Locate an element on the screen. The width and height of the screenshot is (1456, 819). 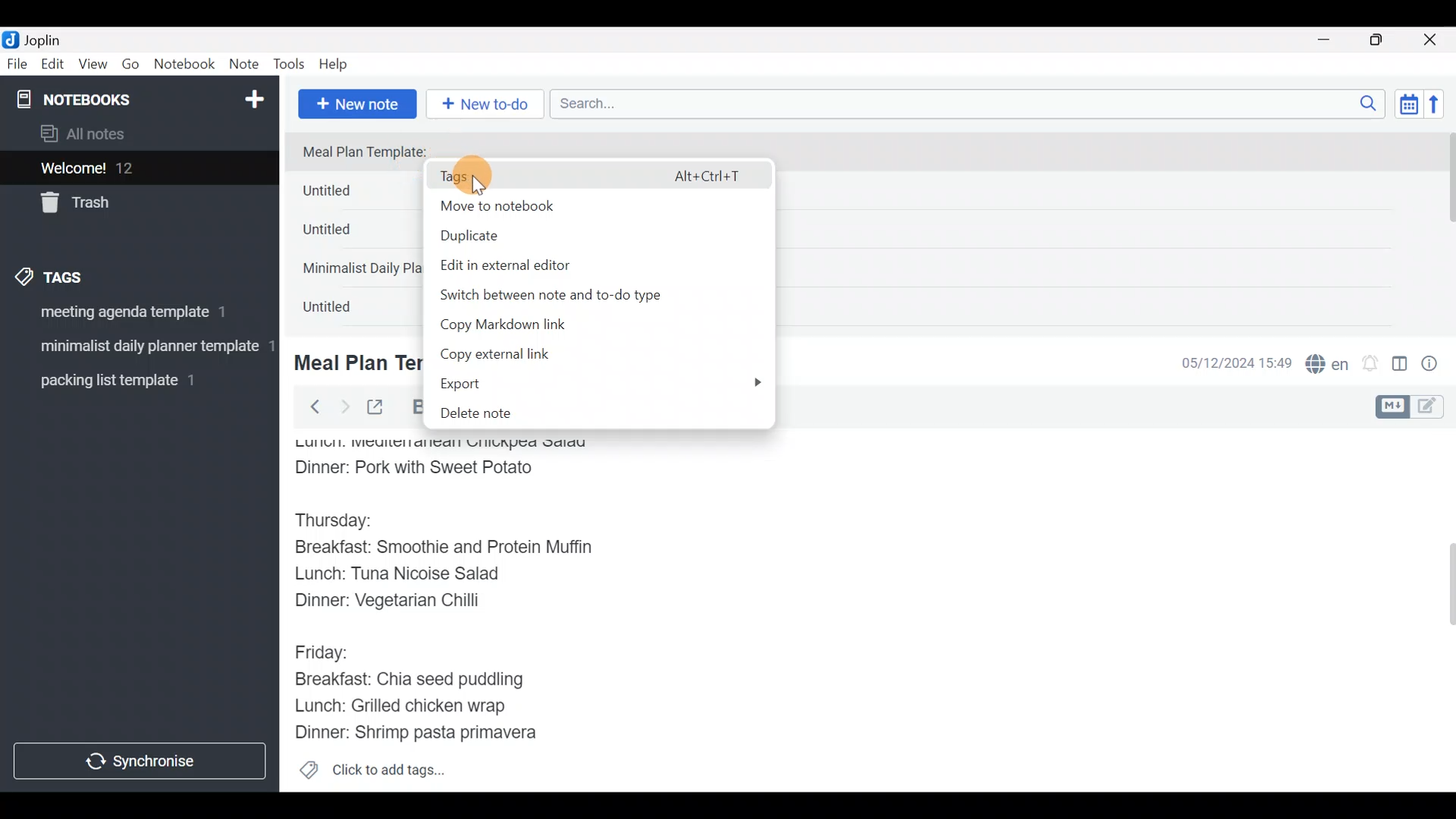
All notes is located at coordinates (136, 135).